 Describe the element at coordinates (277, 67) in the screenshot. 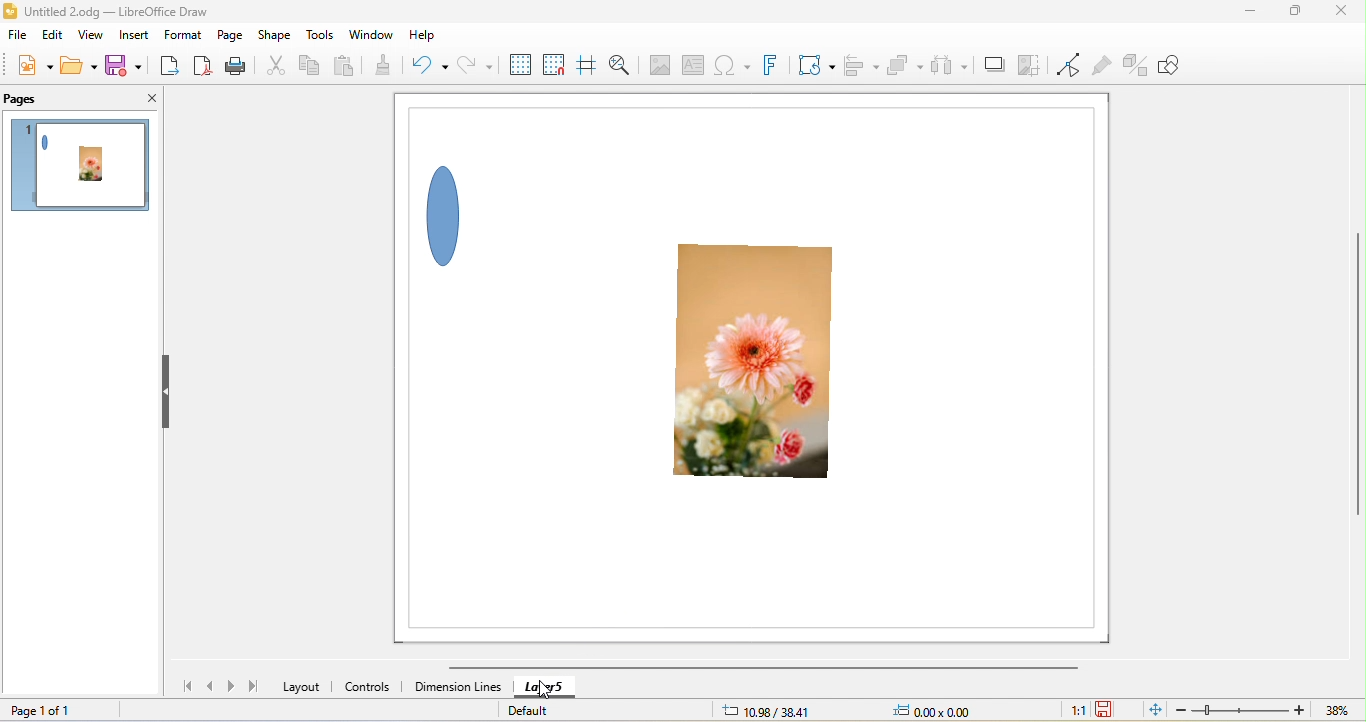

I see `cut` at that location.